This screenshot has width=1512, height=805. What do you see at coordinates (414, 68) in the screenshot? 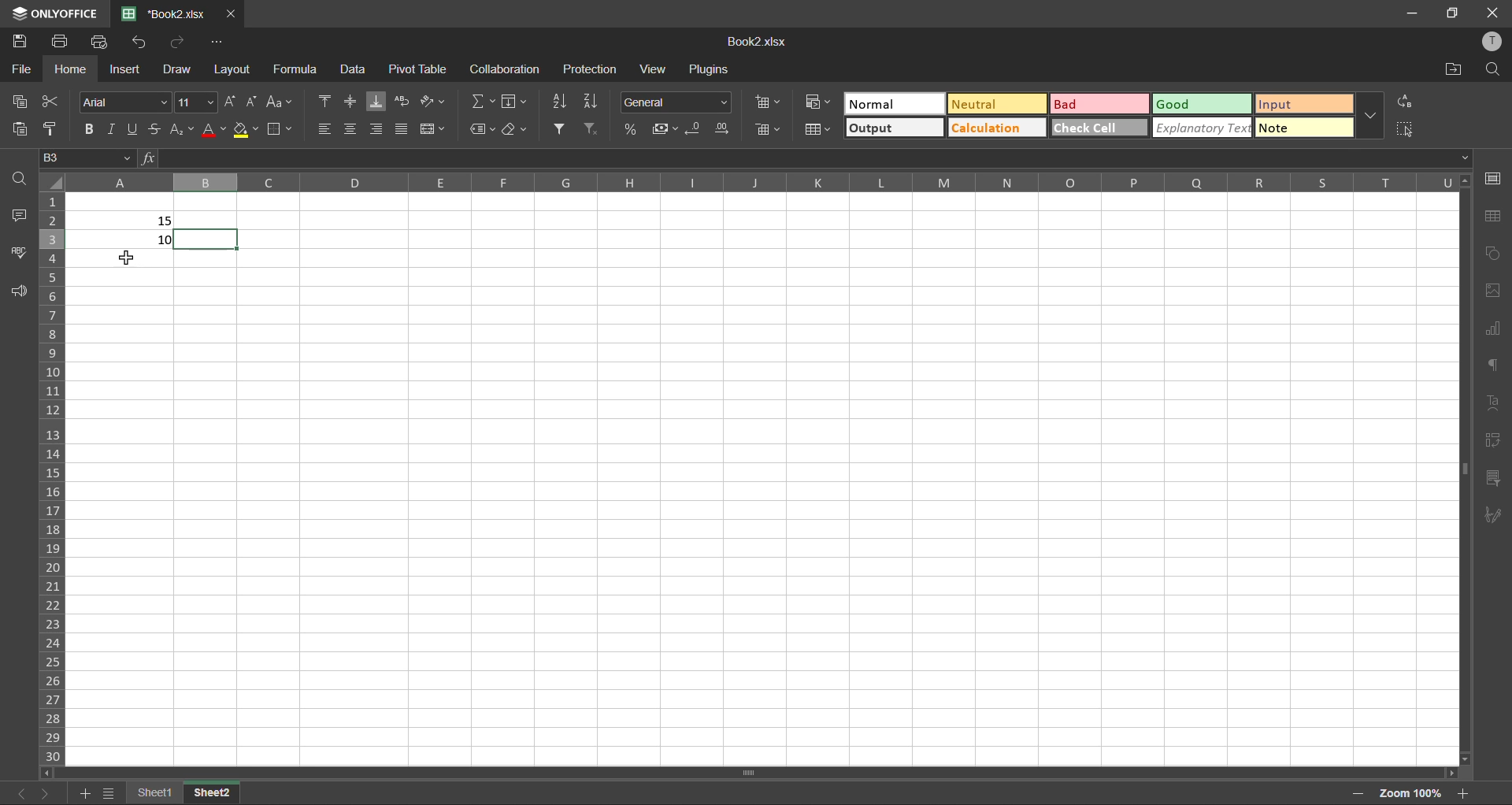
I see `pivot table` at bounding box center [414, 68].